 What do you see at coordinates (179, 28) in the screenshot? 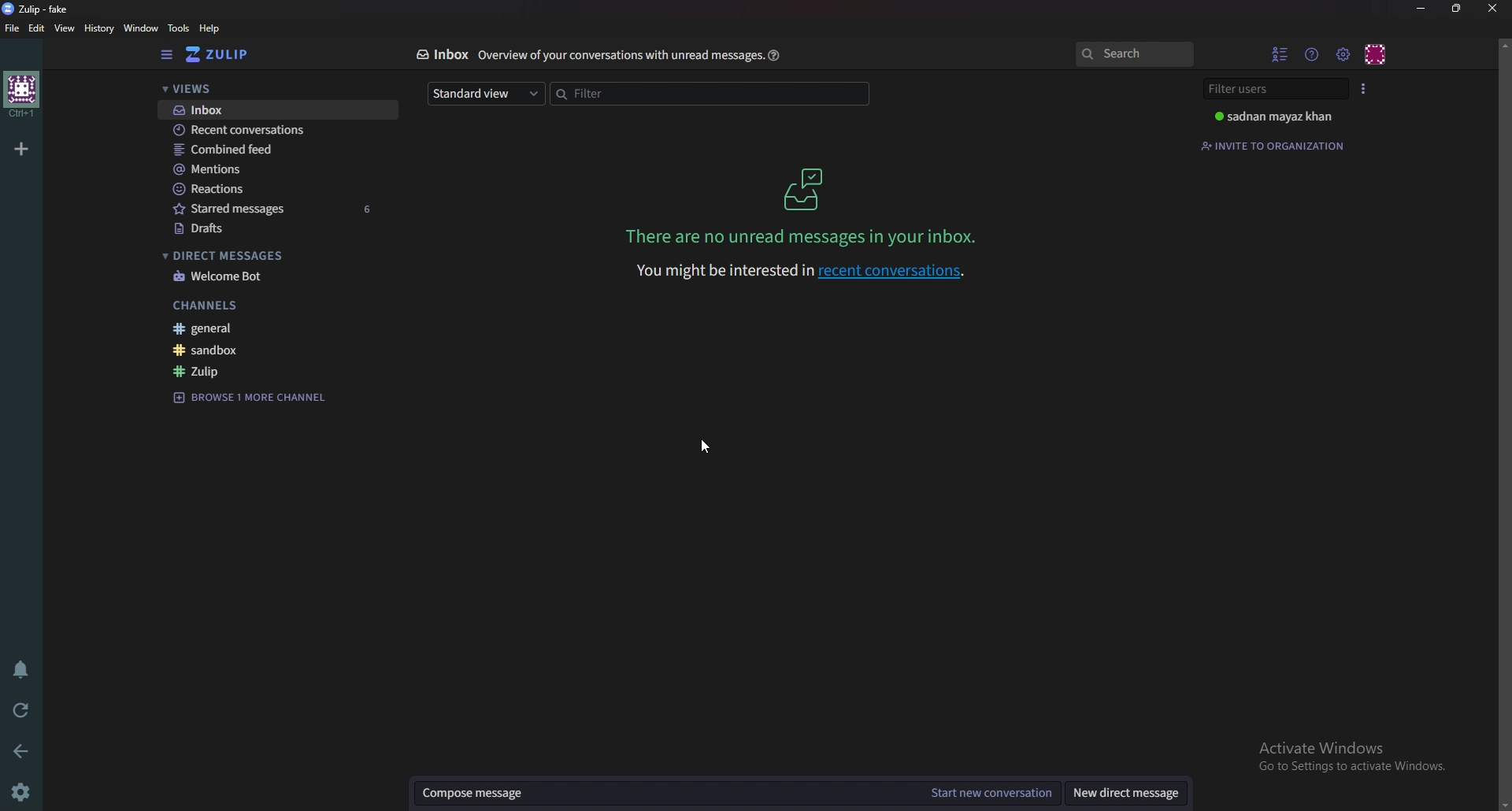
I see `Tools` at bounding box center [179, 28].